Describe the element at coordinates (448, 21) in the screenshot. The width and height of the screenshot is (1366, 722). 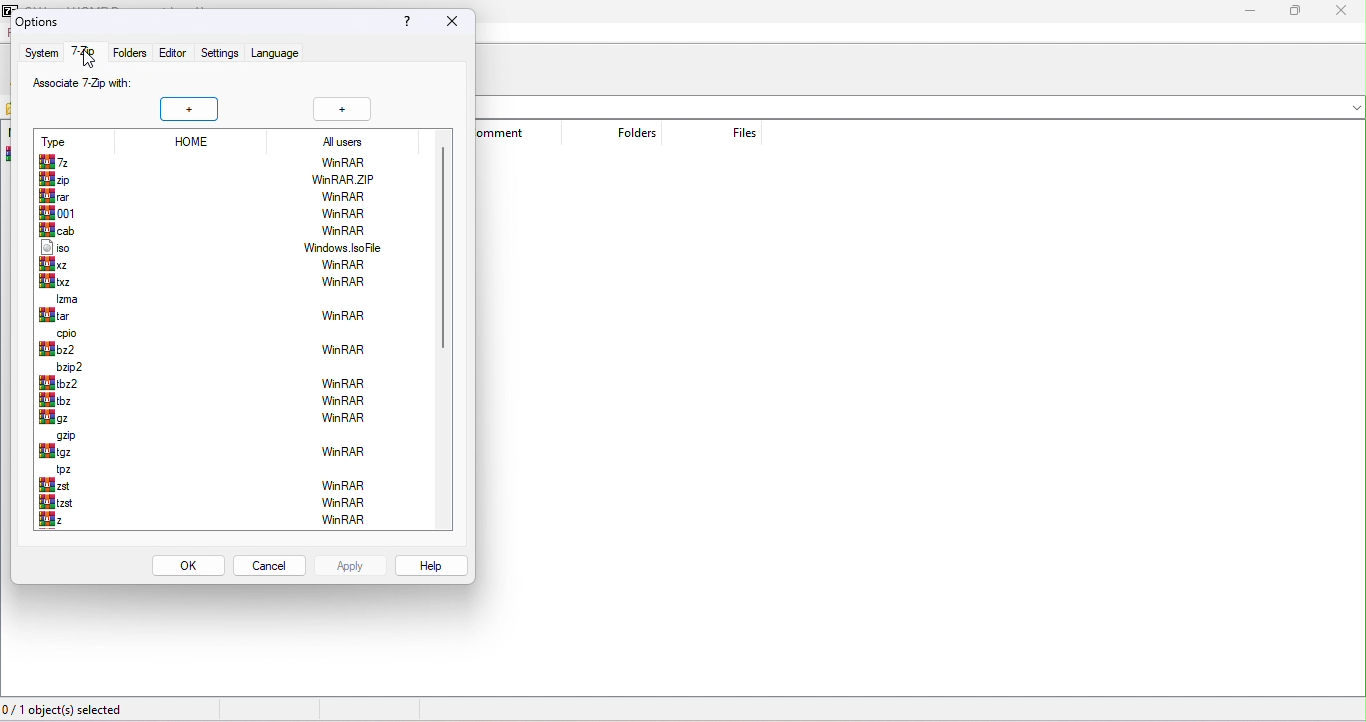
I see `close` at that location.